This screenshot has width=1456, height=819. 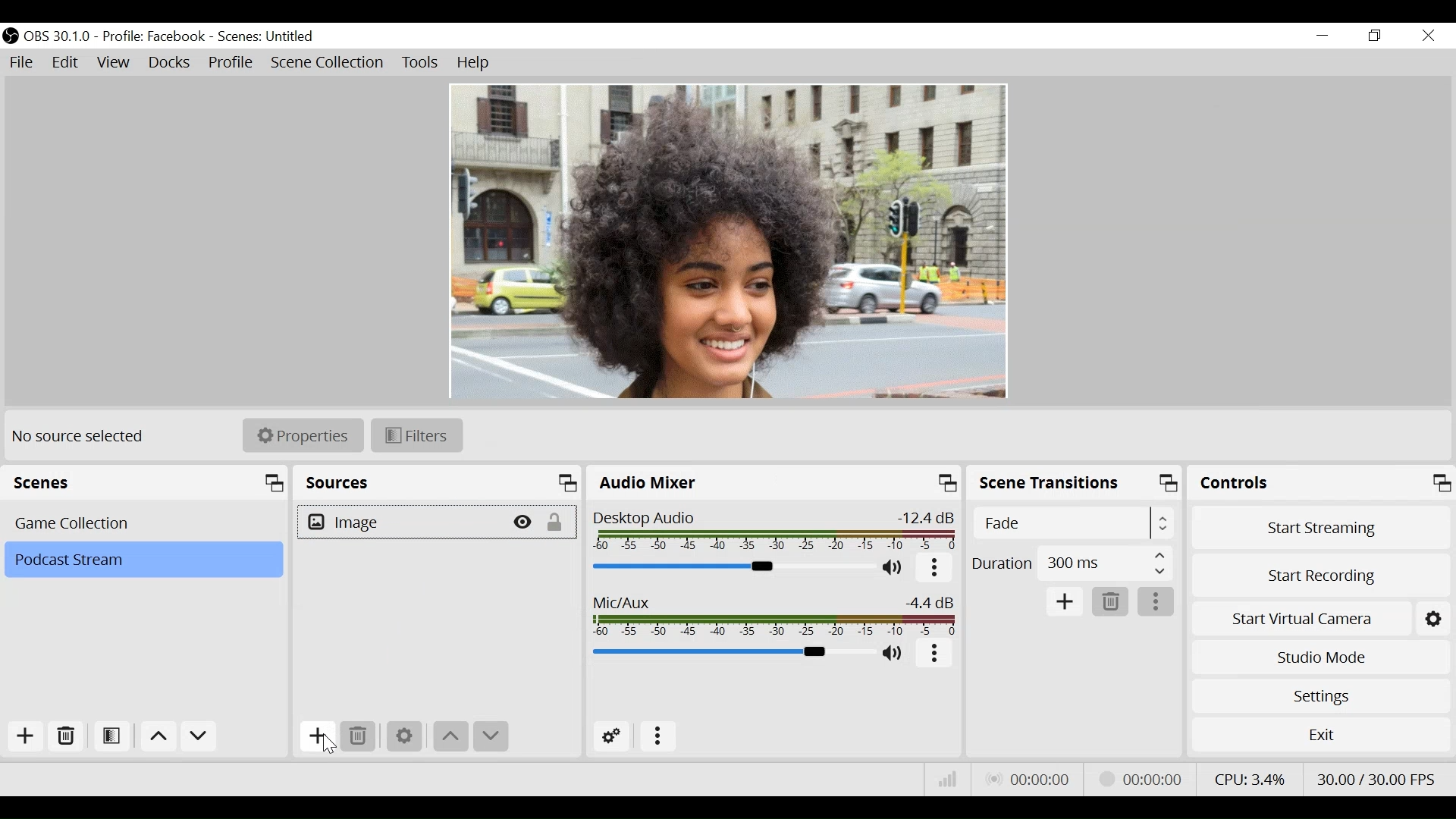 I want to click on Properties, so click(x=303, y=434).